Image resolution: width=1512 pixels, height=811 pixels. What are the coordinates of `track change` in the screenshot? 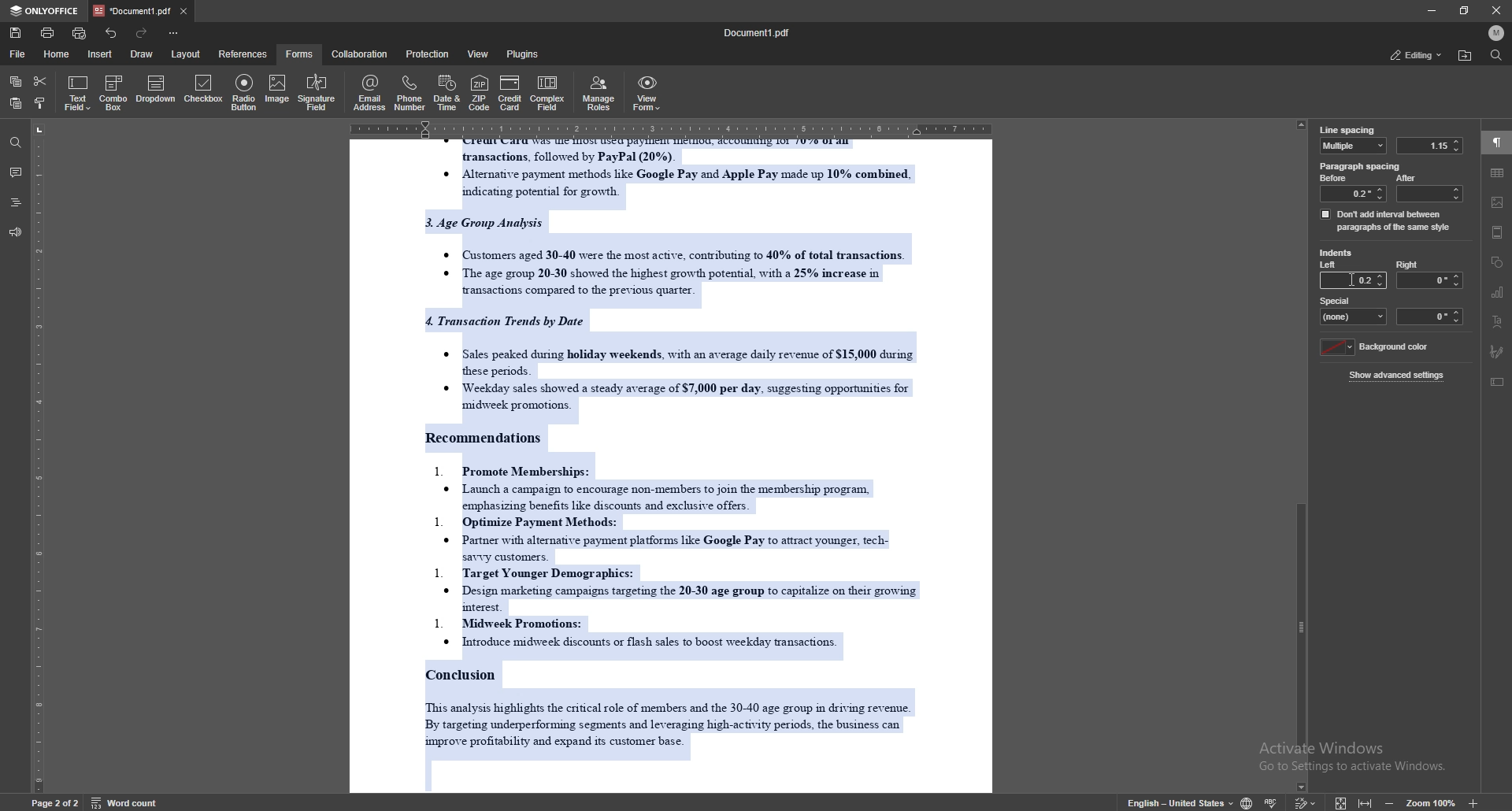 It's located at (1306, 801).